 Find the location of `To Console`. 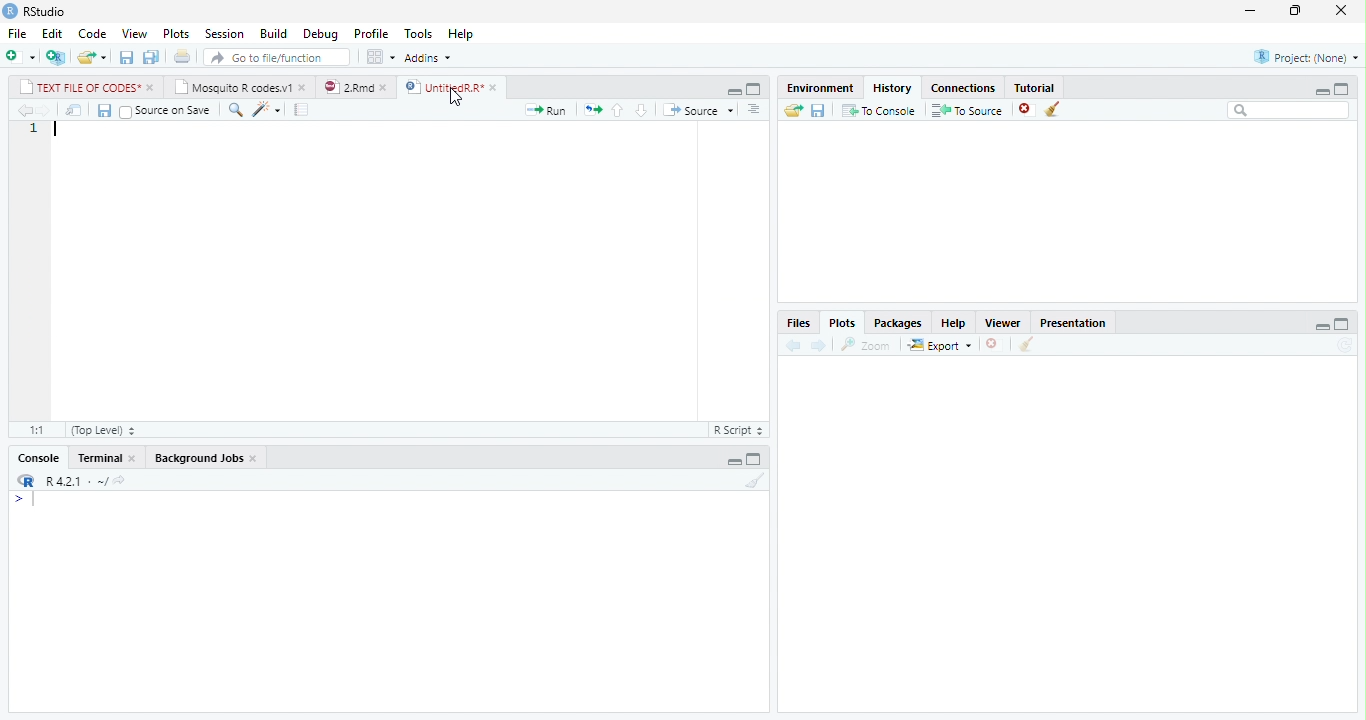

To Console is located at coordinates (878, 110).